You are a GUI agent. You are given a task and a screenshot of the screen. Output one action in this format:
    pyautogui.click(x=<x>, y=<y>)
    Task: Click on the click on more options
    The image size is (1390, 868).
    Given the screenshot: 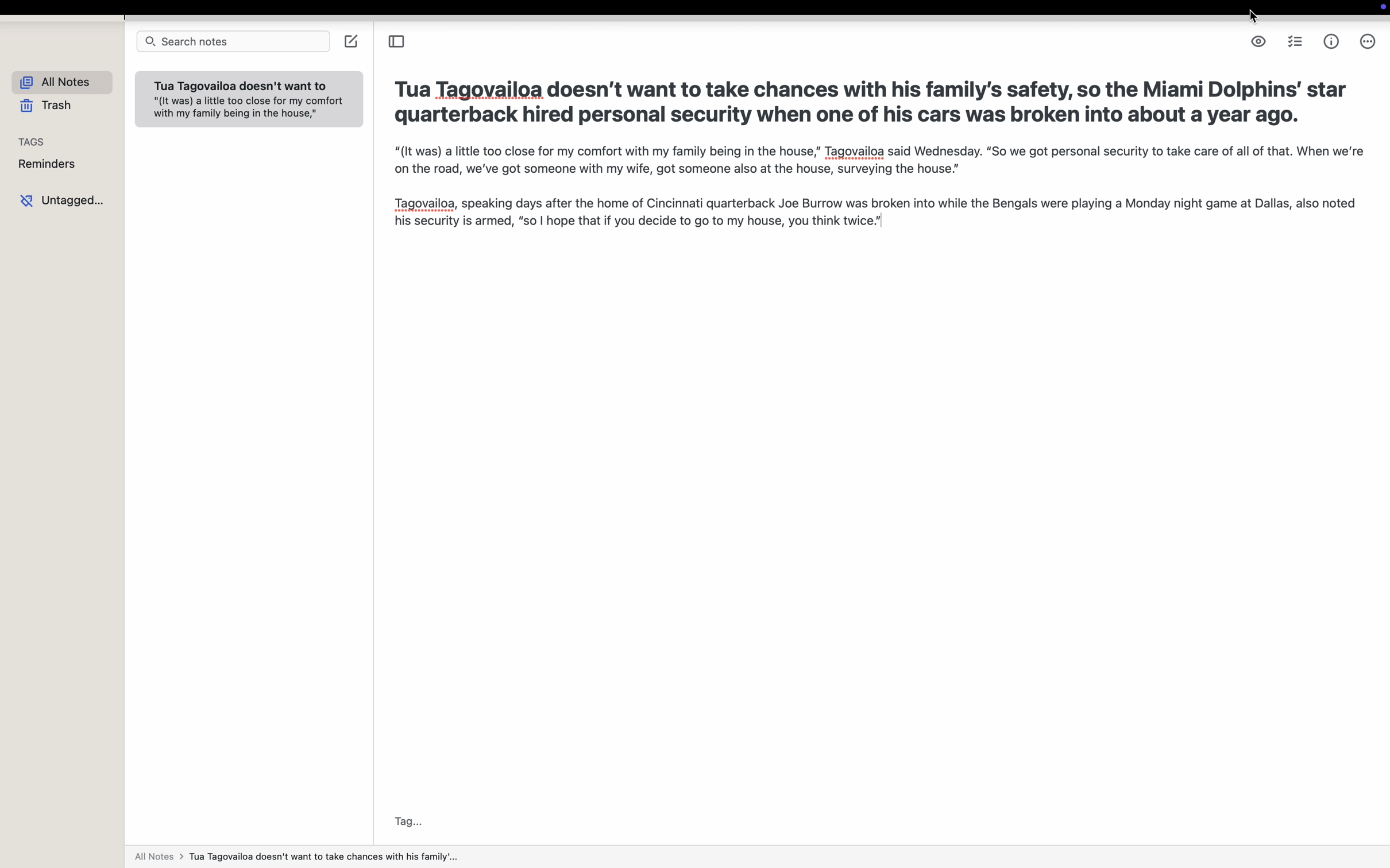 What is the action you would take?
    pyautogui.click(x=1366, y=41)
    